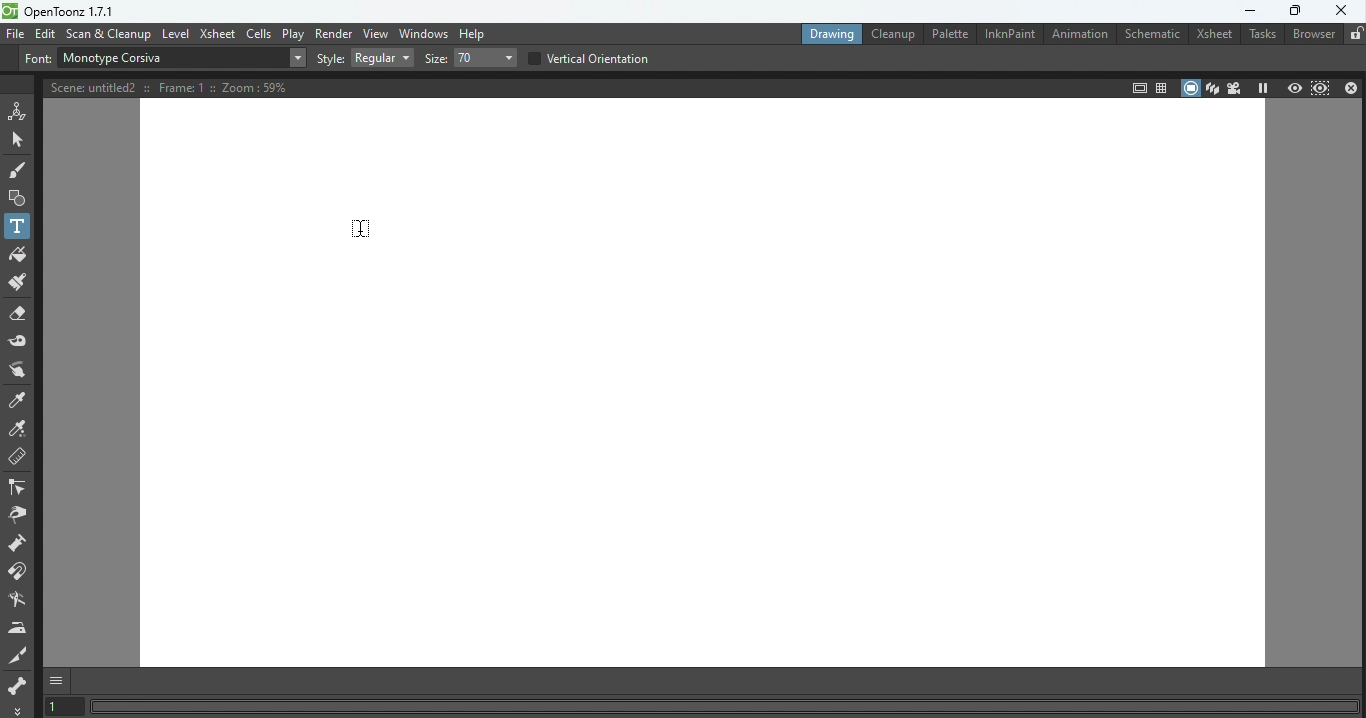 Image resolution: width=1366 pixels, height=718 pixels. What do you see at coordinates (476, 33) in the screenshot?
I see `Help` at bounding box center [476, 33].